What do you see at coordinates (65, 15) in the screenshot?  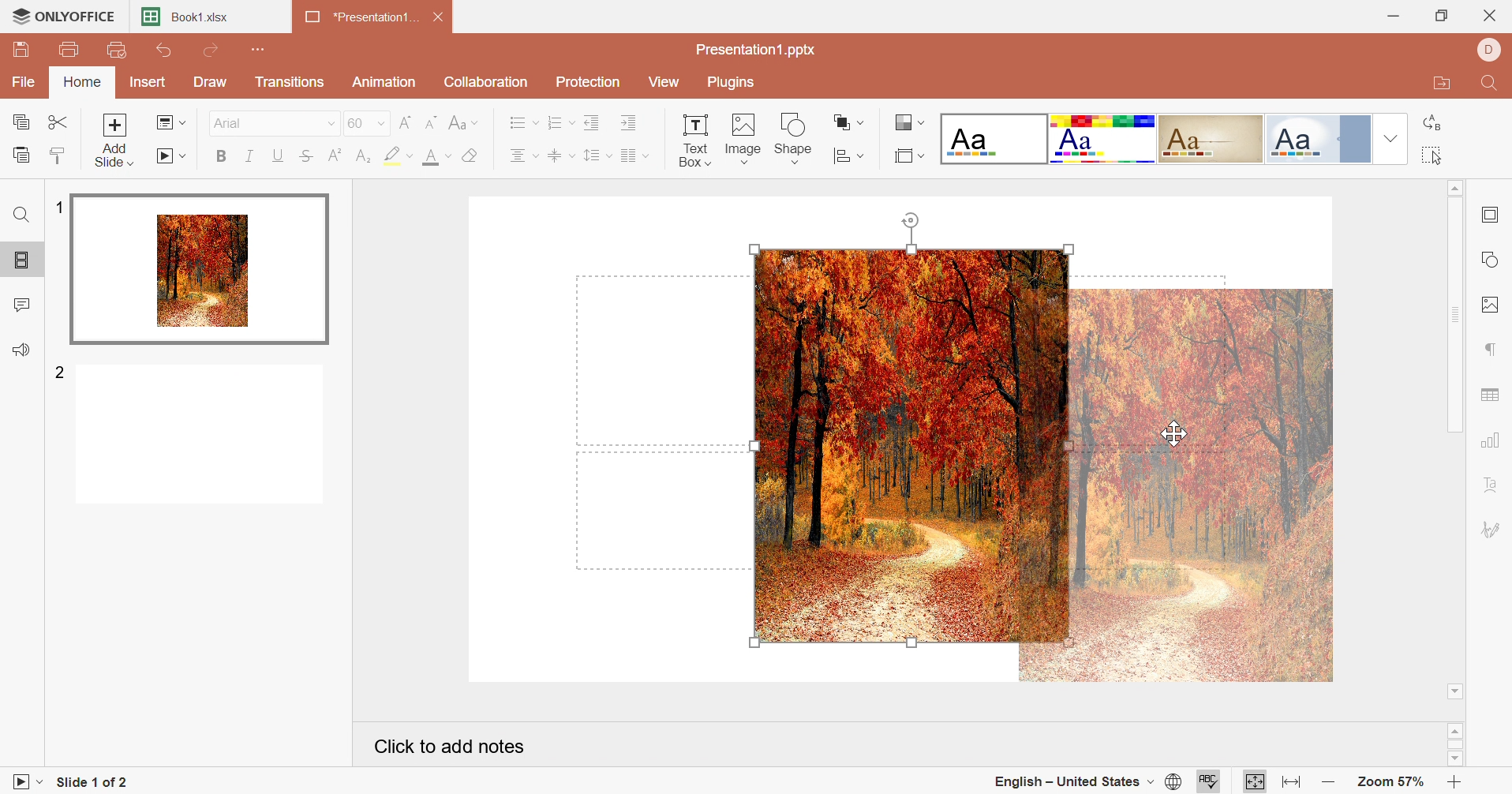 I see `ONLYOFFICE` at bounding box center [65, 15].